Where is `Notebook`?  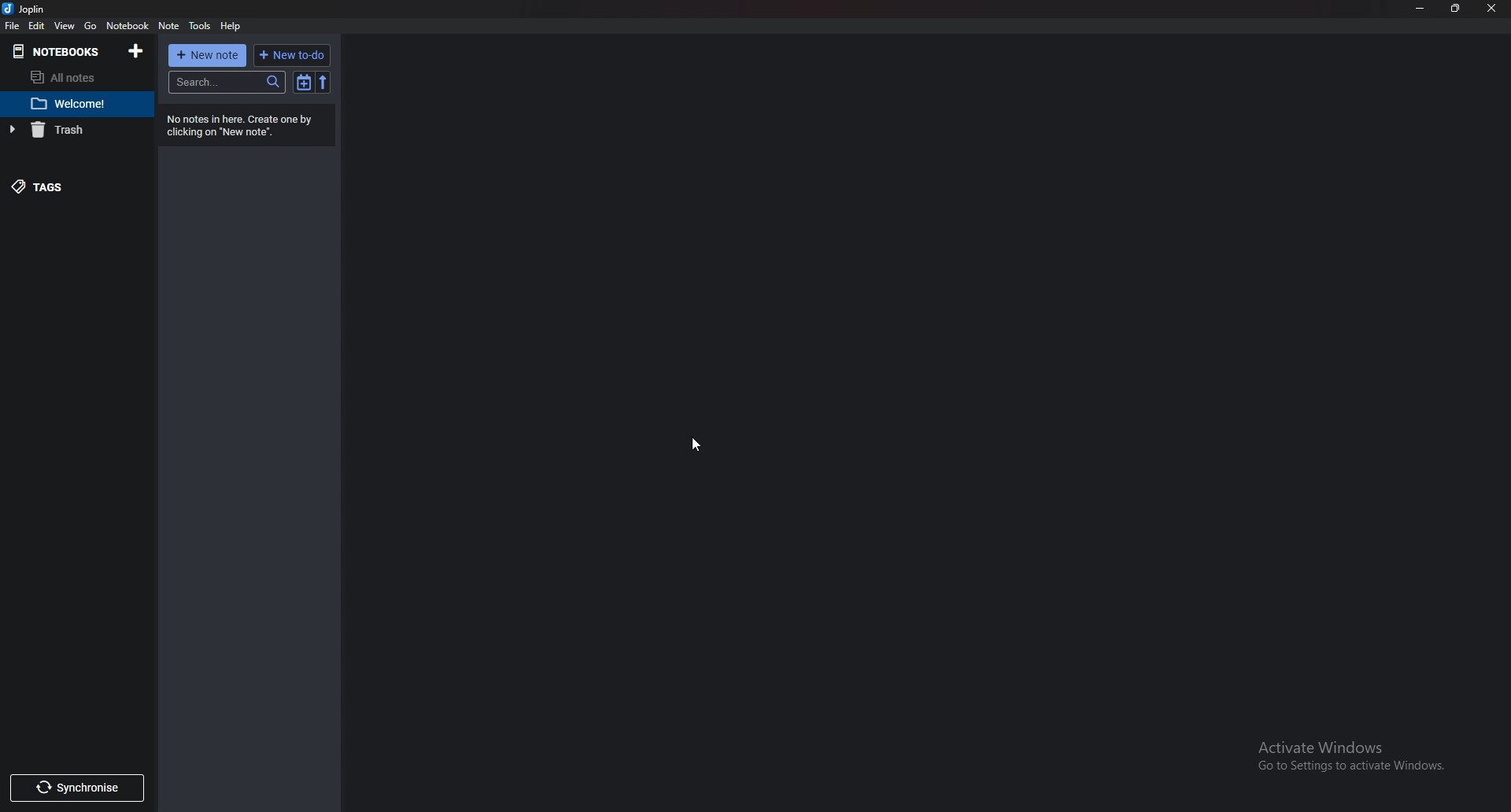 Notebook is located at coordinates (127, 27).